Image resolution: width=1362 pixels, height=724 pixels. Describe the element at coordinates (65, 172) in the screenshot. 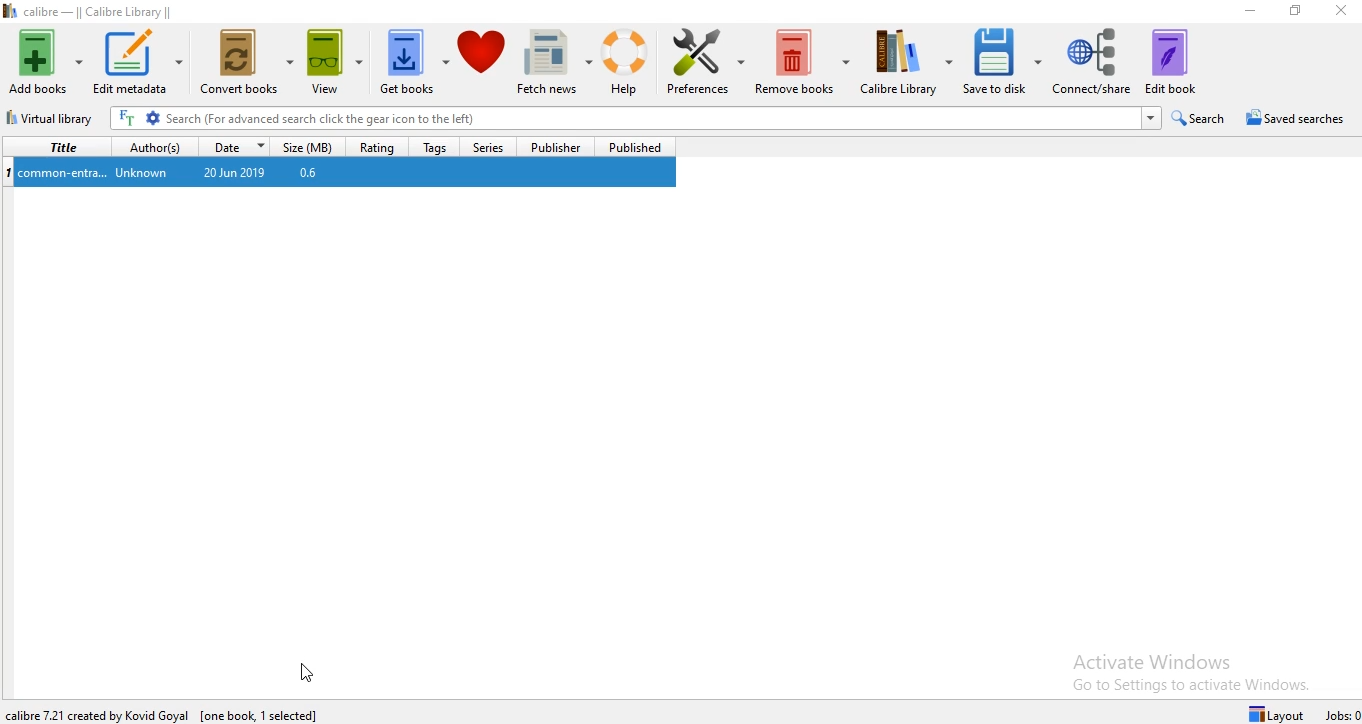

I see `common-entra...` at that location.